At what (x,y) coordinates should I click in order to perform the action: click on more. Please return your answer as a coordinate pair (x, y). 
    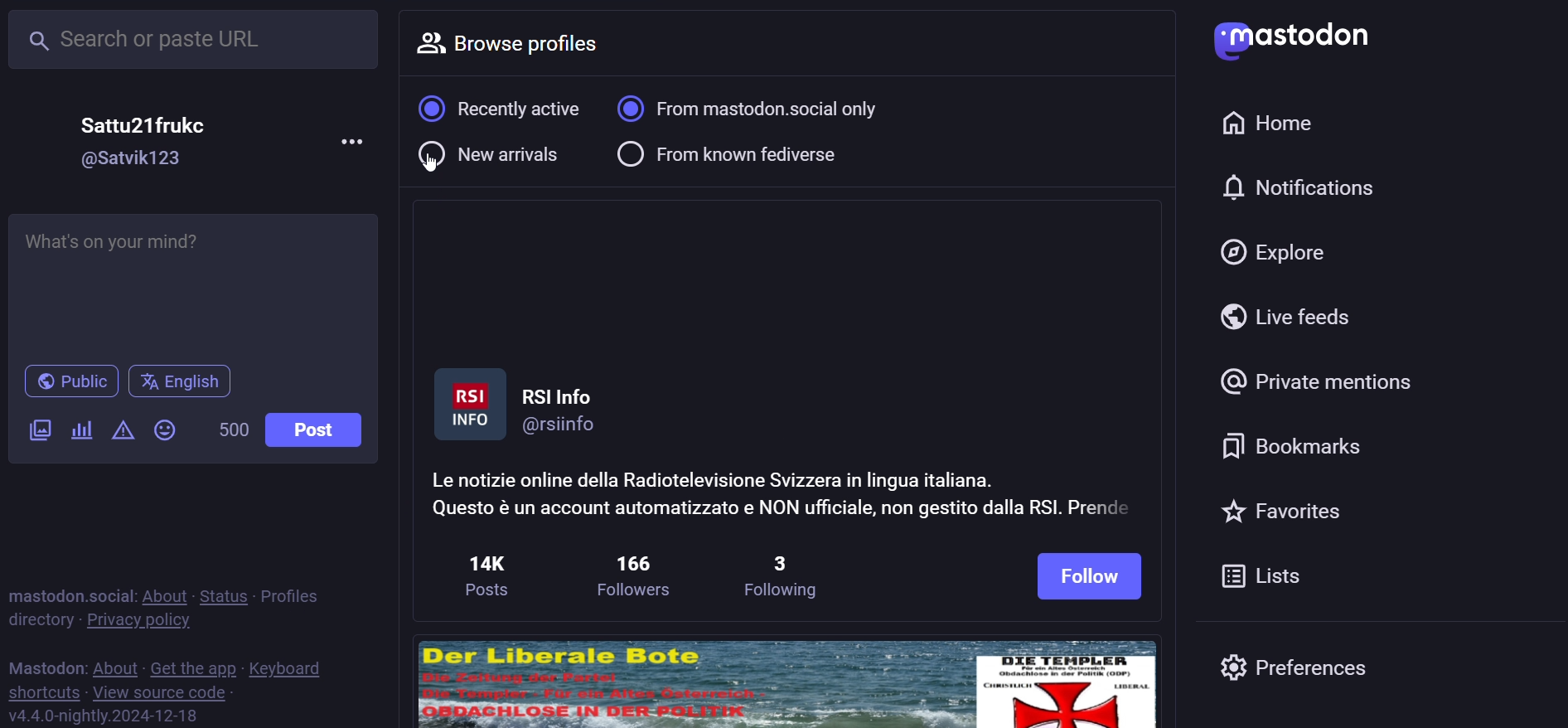
    Looking at the image, I should click on (356, 142).